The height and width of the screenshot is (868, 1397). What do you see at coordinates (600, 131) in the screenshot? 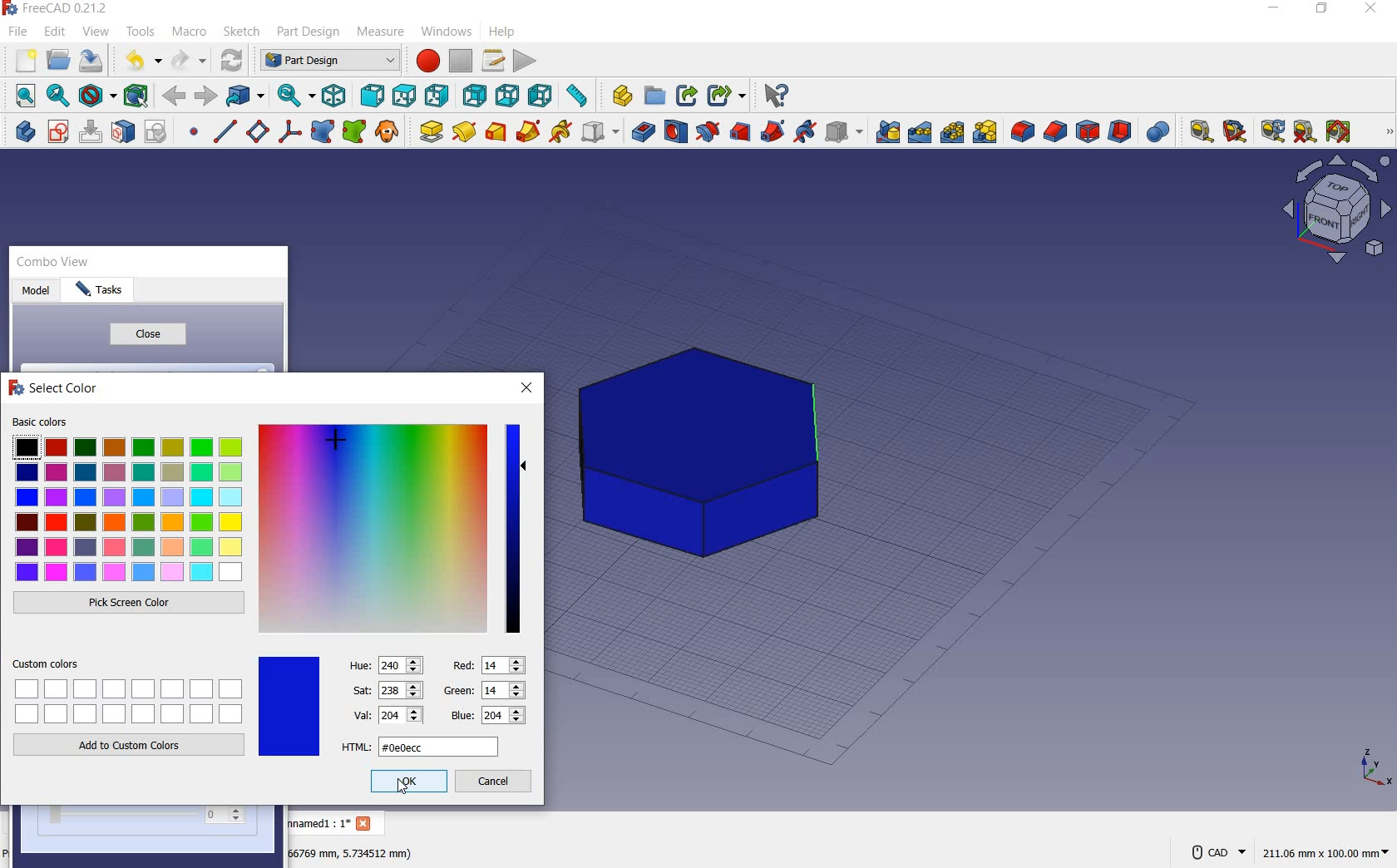
I see `create an additive primitive` at bounding box center [600, 131].